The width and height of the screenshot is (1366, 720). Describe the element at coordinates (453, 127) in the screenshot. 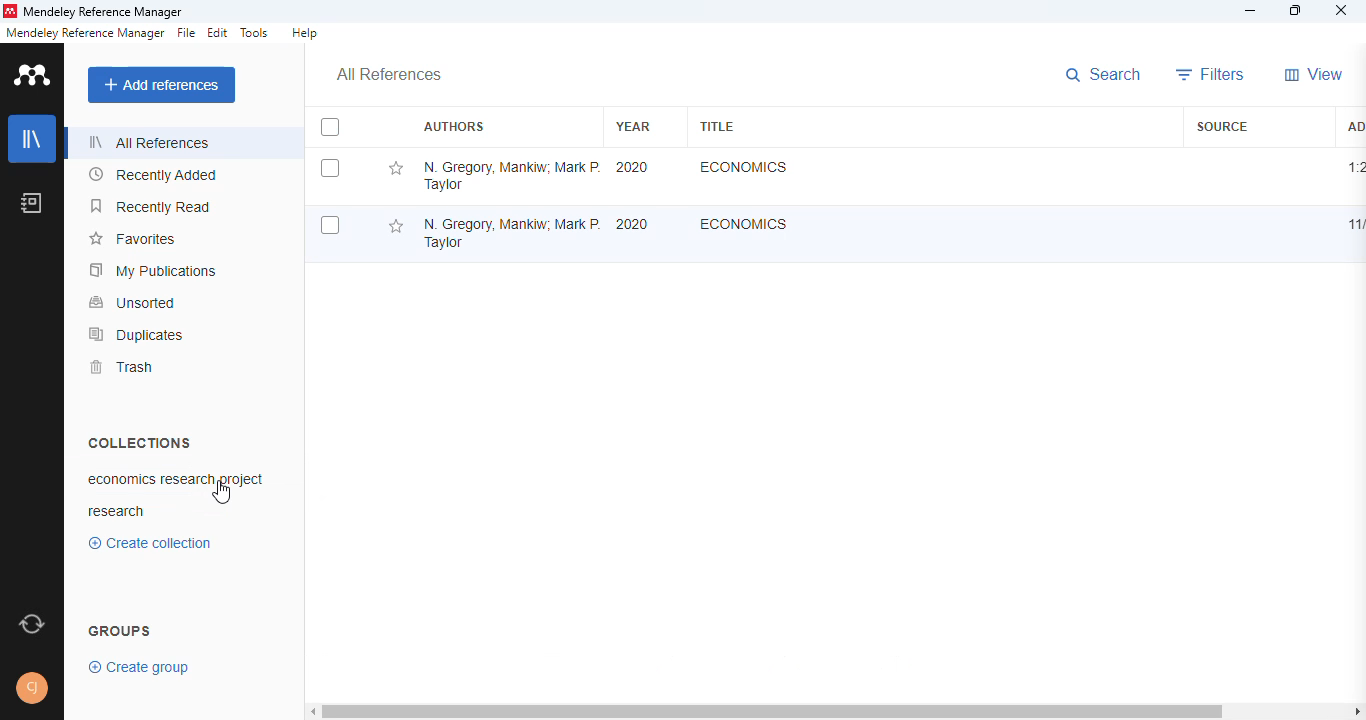

I see `authors` at that location.